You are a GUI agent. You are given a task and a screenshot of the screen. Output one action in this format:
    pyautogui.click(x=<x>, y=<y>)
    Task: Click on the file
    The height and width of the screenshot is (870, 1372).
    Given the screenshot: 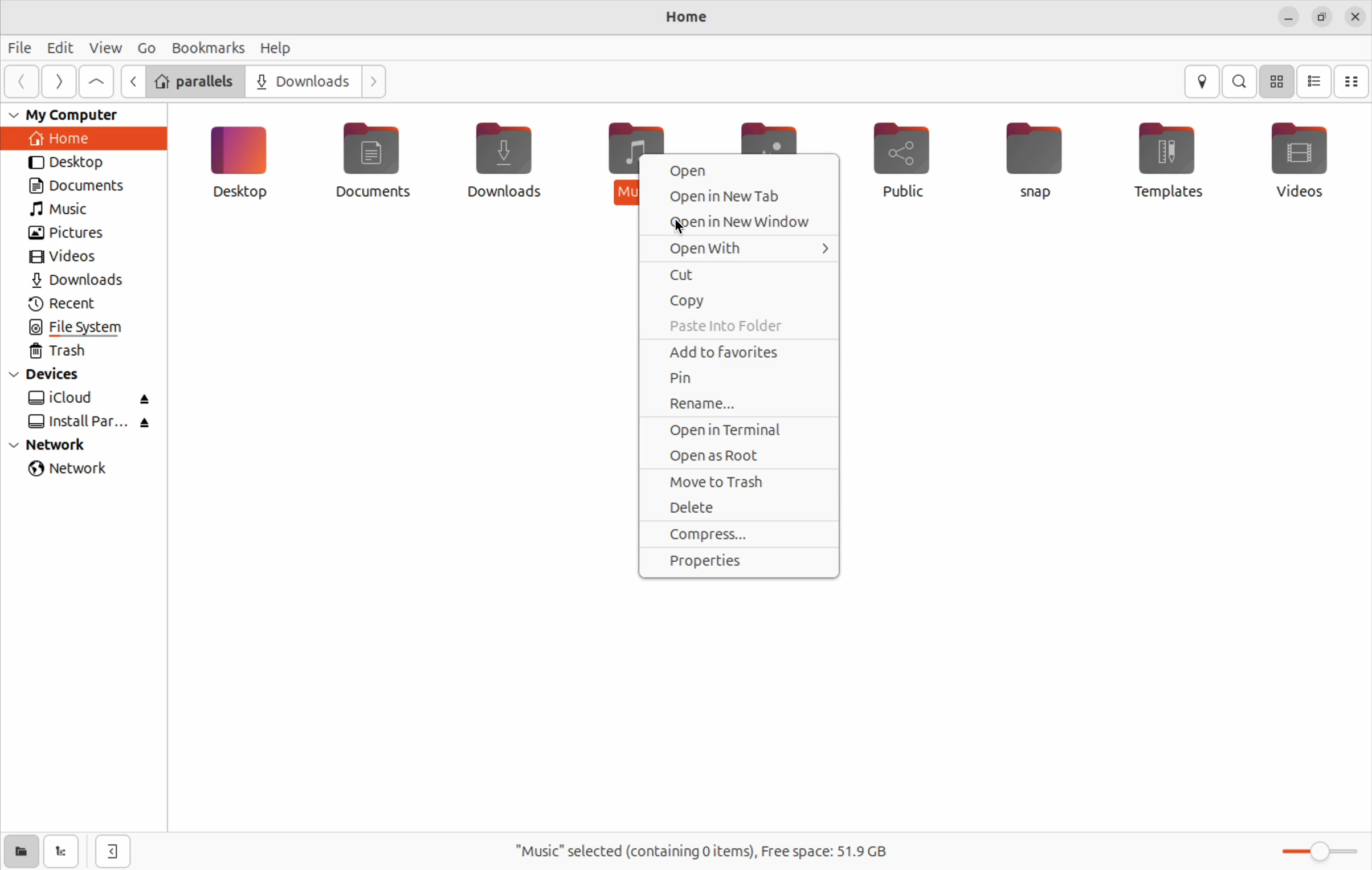 What is the action you would take?
    pyautogui.click(x=18, y=48)
    